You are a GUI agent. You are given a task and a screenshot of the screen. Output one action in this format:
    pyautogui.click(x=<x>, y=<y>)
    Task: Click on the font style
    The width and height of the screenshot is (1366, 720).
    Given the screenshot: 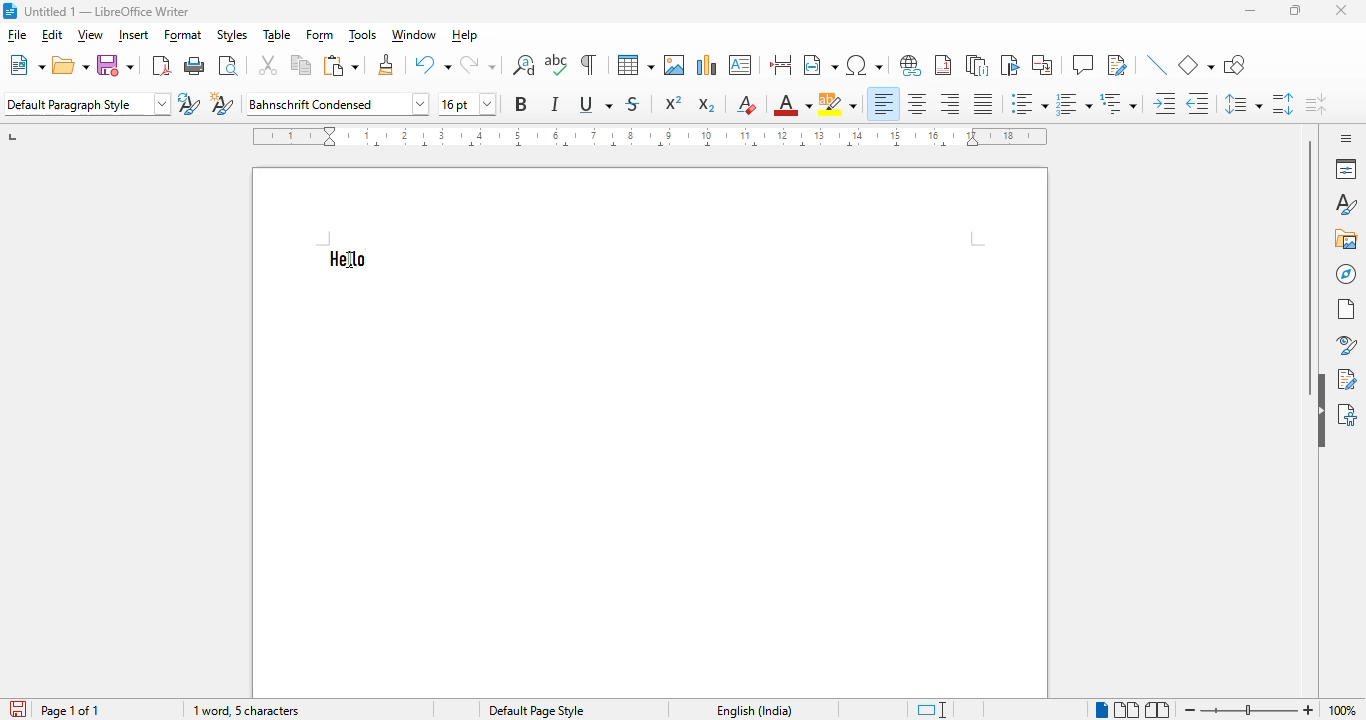 What is the action you would take?
    pyautogui.click(x=338, y=103)
    